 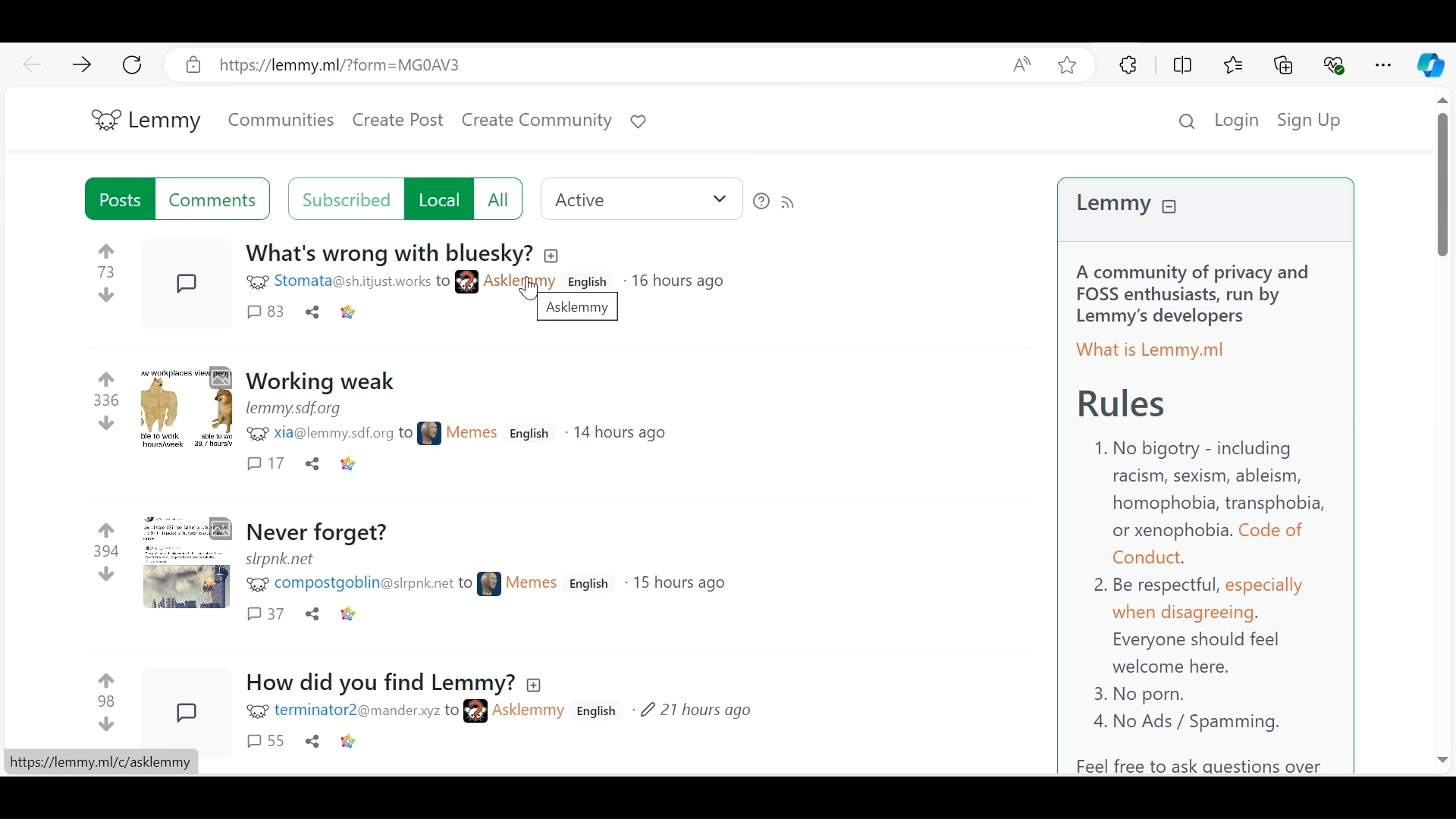 I want to click on Language, so click(x=530, y=434).